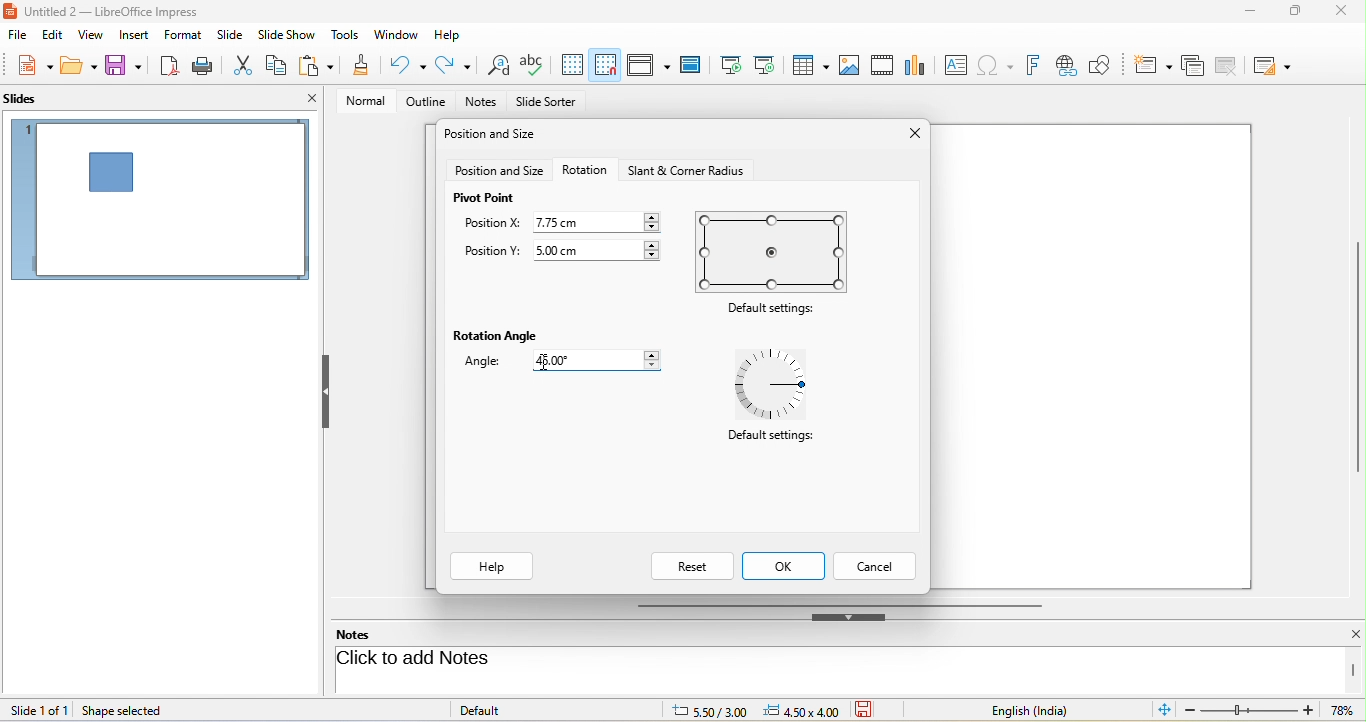 The image size is (1366, 722). What do you see at coordinates (234, 35) in the screenshot?
I see `side` at bounding box center [234, 35].